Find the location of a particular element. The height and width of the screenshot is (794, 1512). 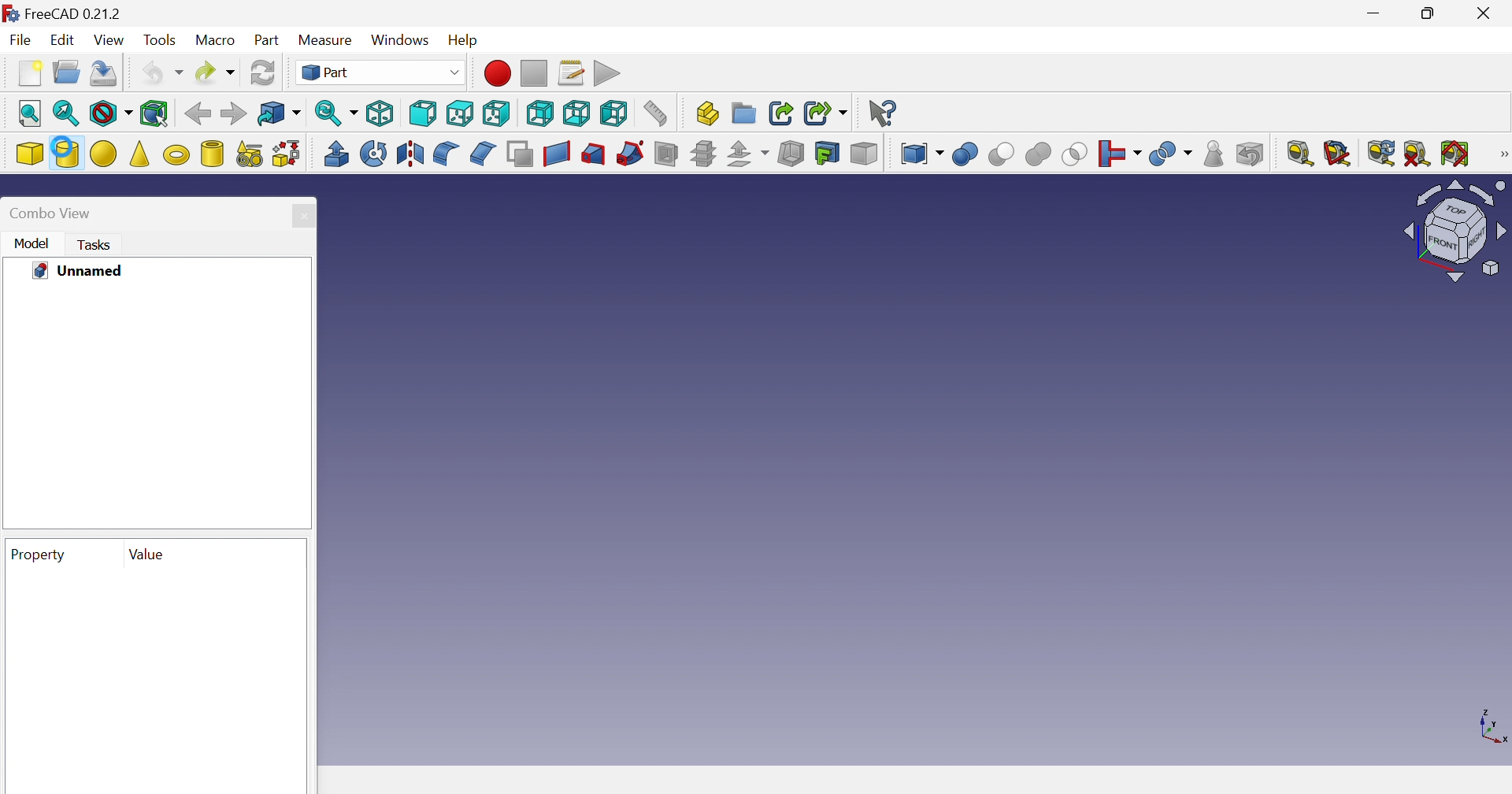

Execute macro is located at coordinates (610, 72).